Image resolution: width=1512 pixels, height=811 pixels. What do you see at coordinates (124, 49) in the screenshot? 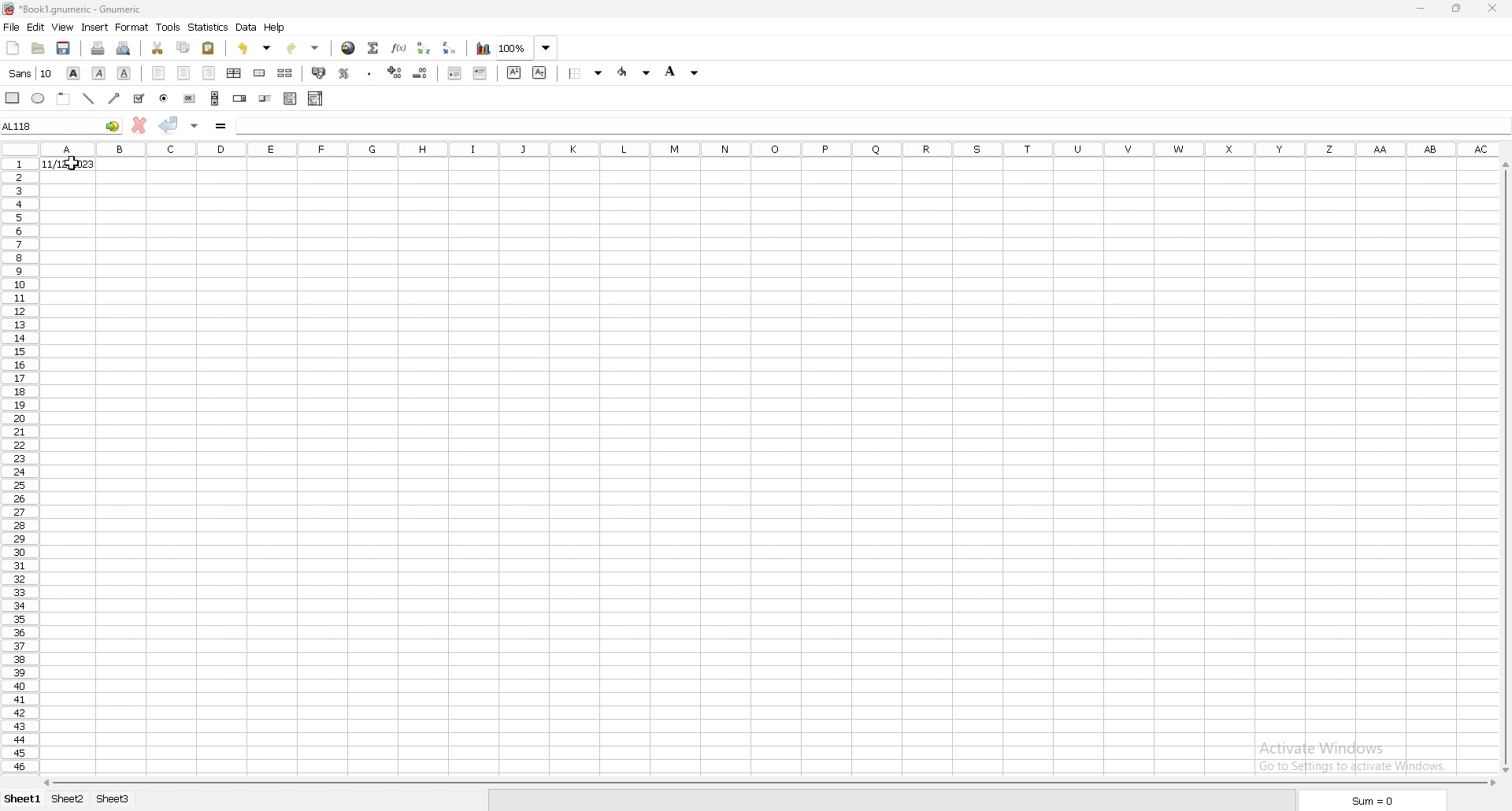
I see `print preview` at bounding box center [124, 49].